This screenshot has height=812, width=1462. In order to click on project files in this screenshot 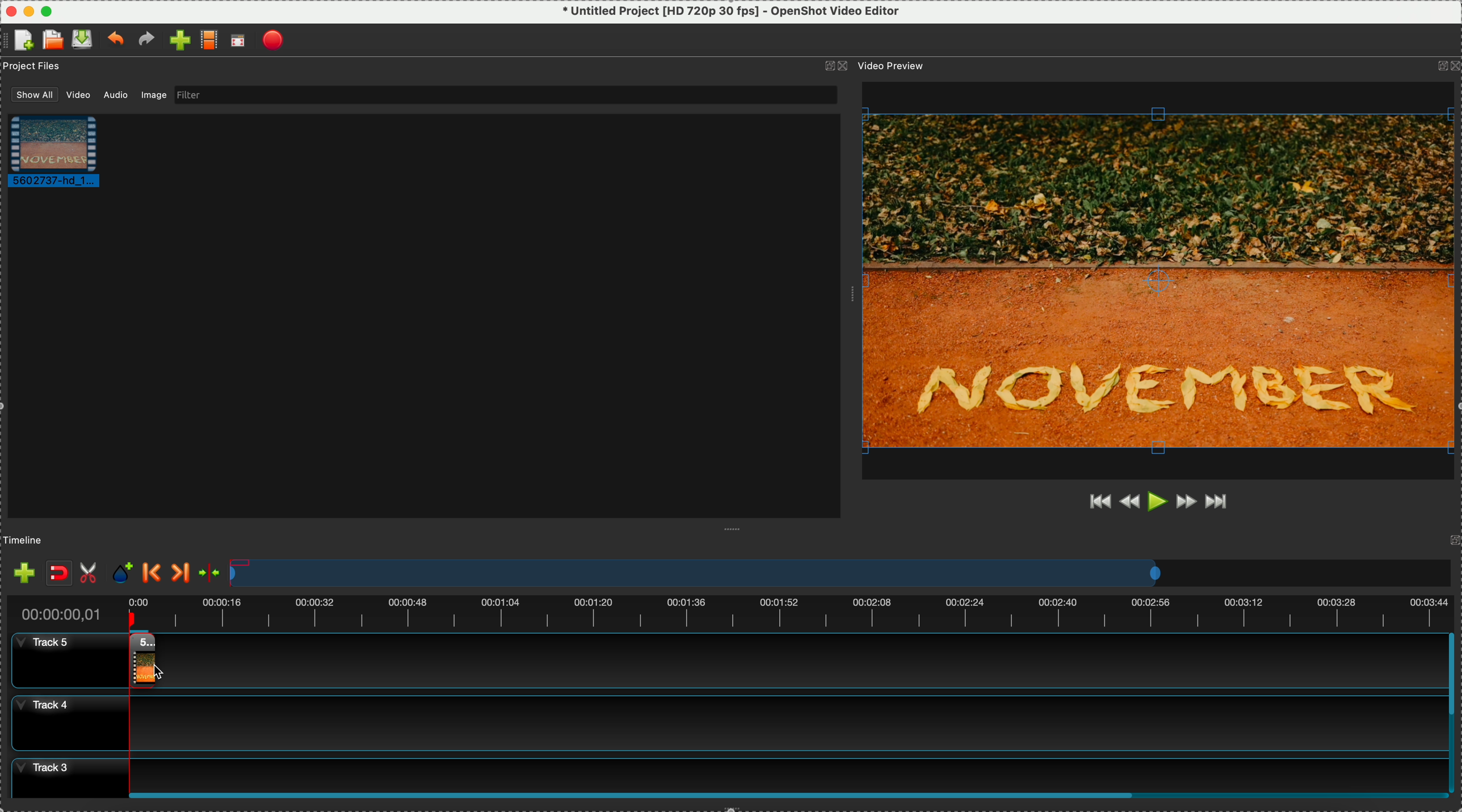, I will do `click(33, 68)`.